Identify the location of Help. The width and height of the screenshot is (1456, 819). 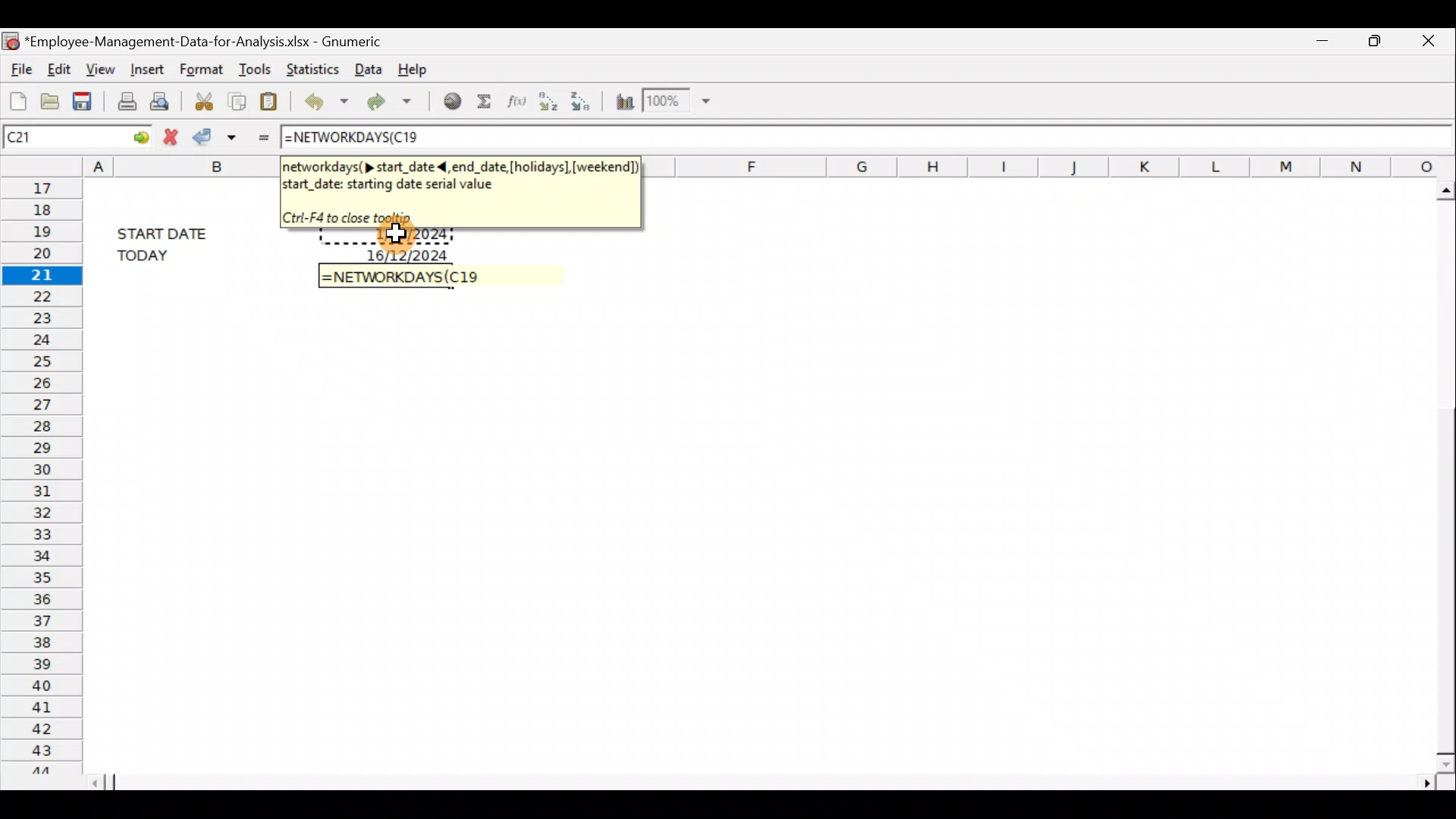
(423, 68).